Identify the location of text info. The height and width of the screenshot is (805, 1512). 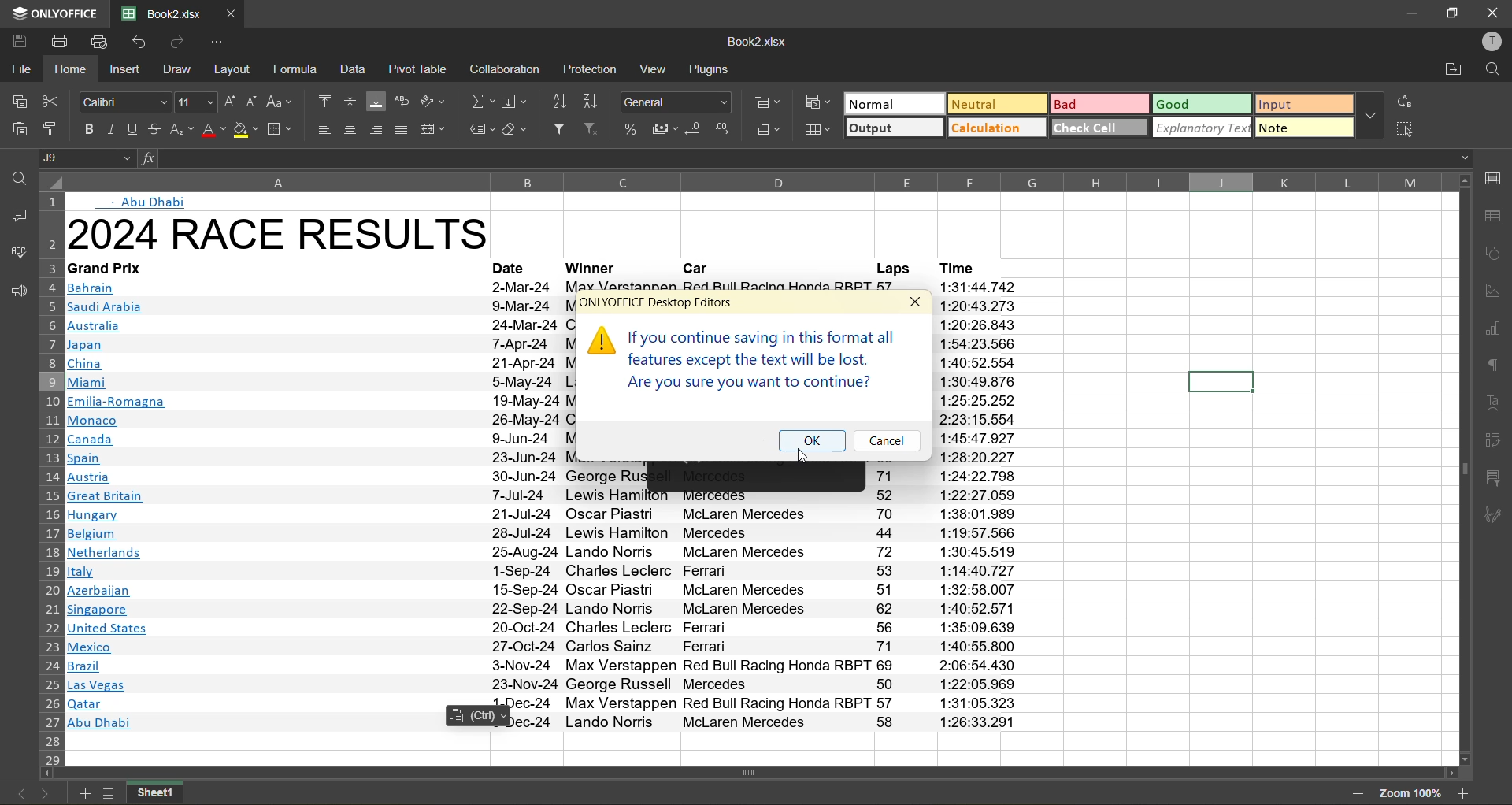
(317, 420).